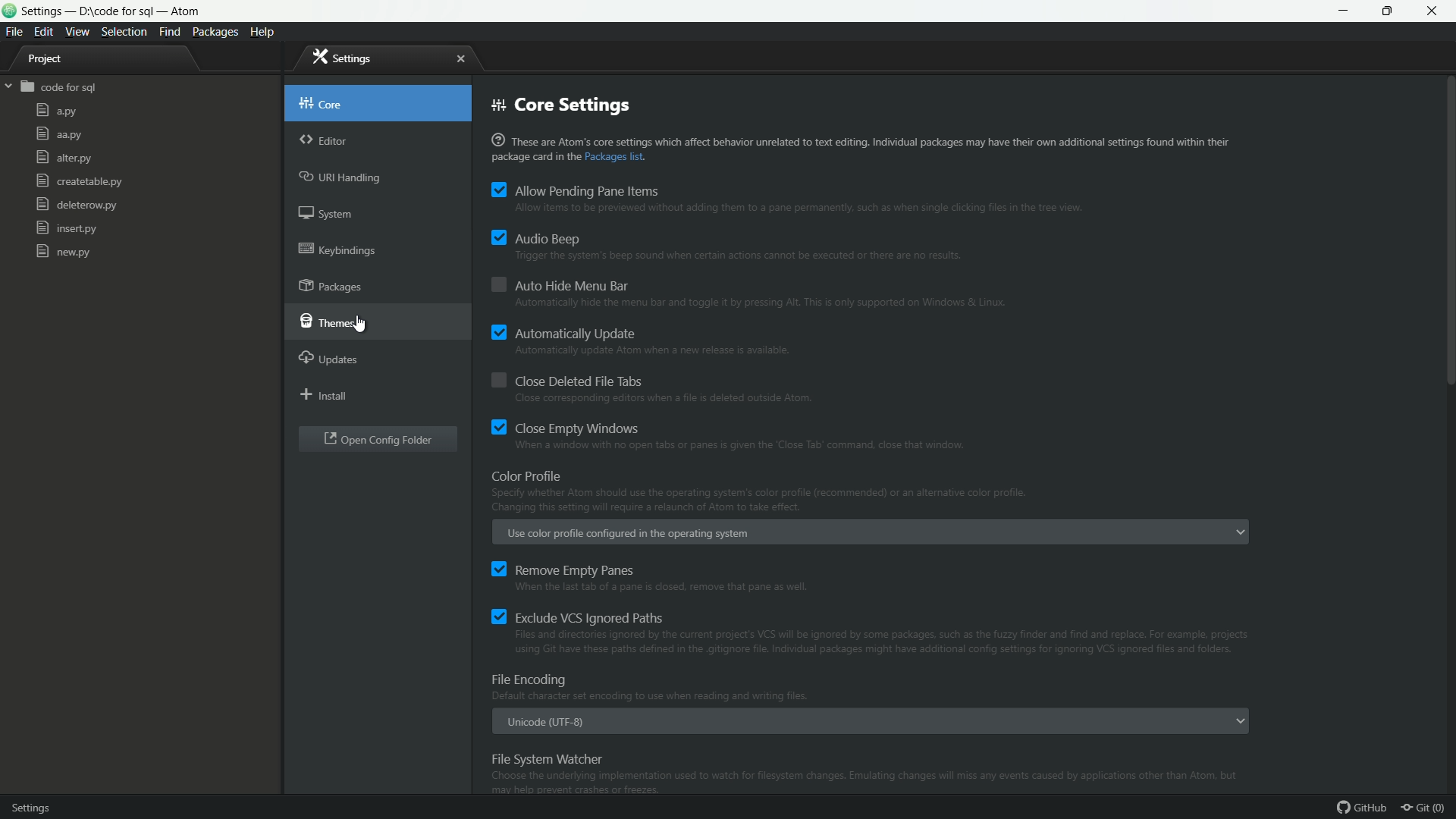  What do you see at coordinates (670, 588) in the screenshot?
I see `when the last tab of a pane is closed, remove that pane as well` at bounding box center [670, 588].